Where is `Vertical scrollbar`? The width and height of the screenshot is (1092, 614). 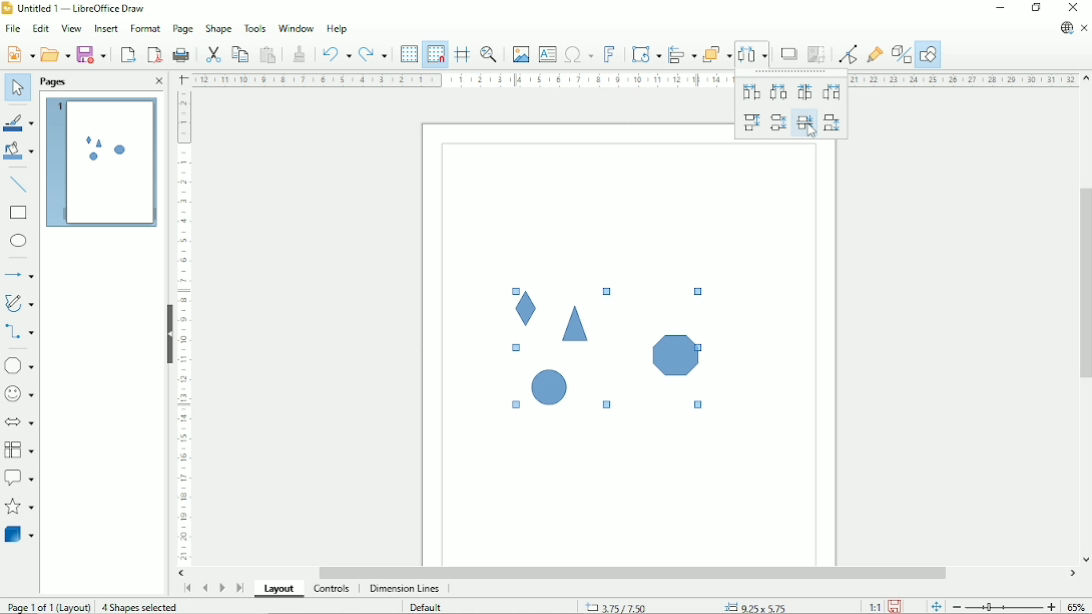
Vertical scrollbar is located at coordinates (1084, 286).